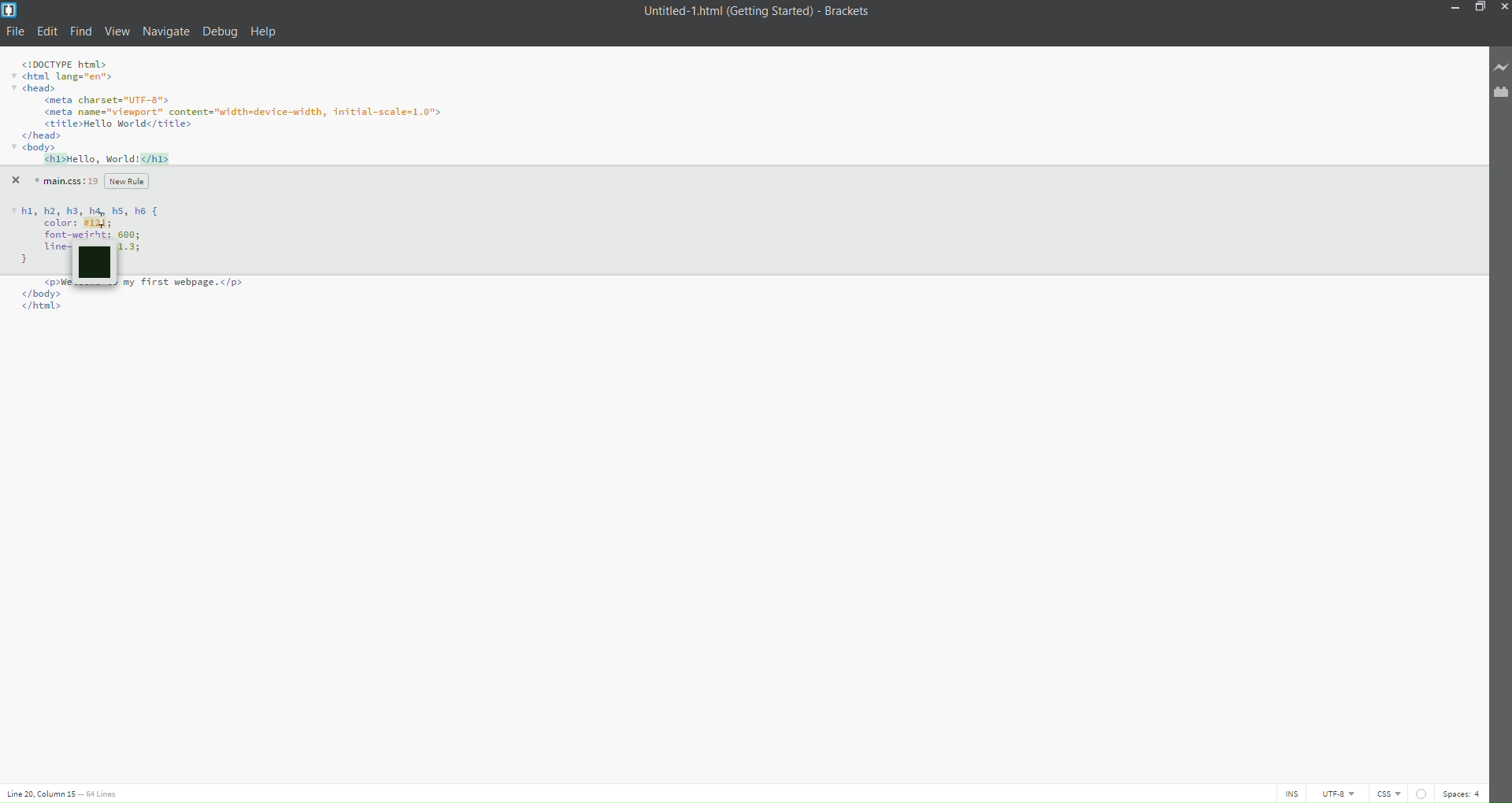  I want to click on view, so click(117, 31).